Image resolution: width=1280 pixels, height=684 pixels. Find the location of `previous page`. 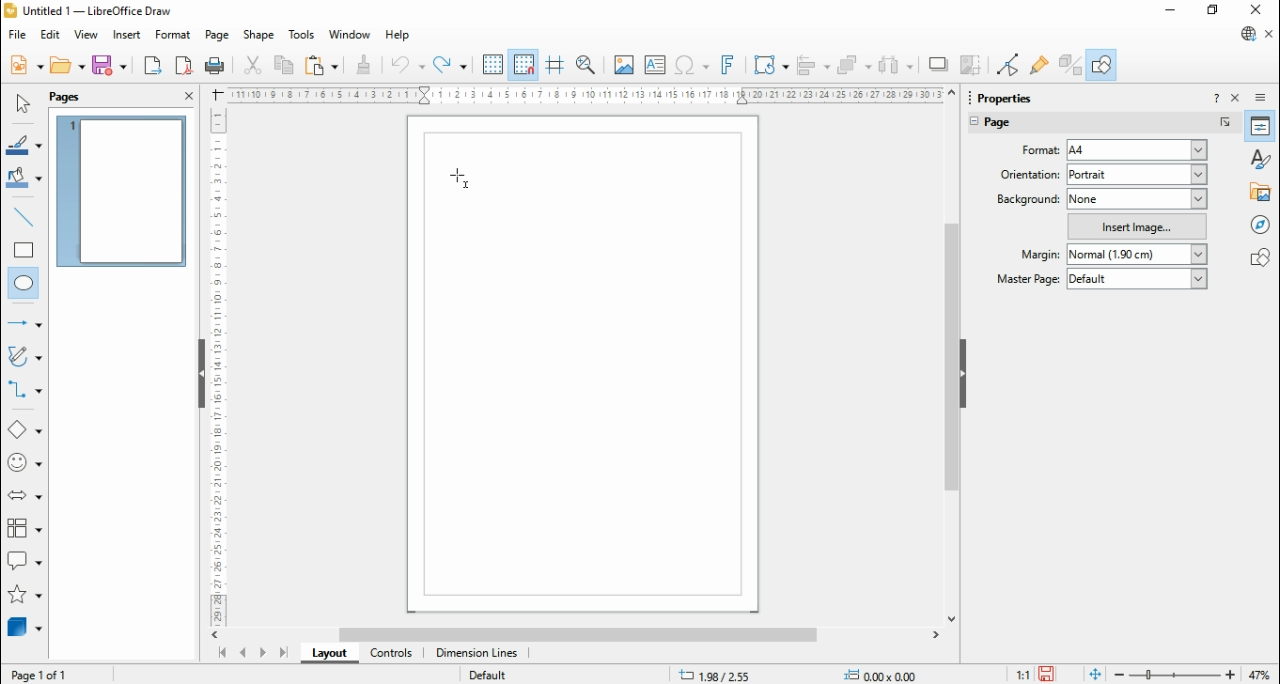

previous page is located at coordinates (244, 653).